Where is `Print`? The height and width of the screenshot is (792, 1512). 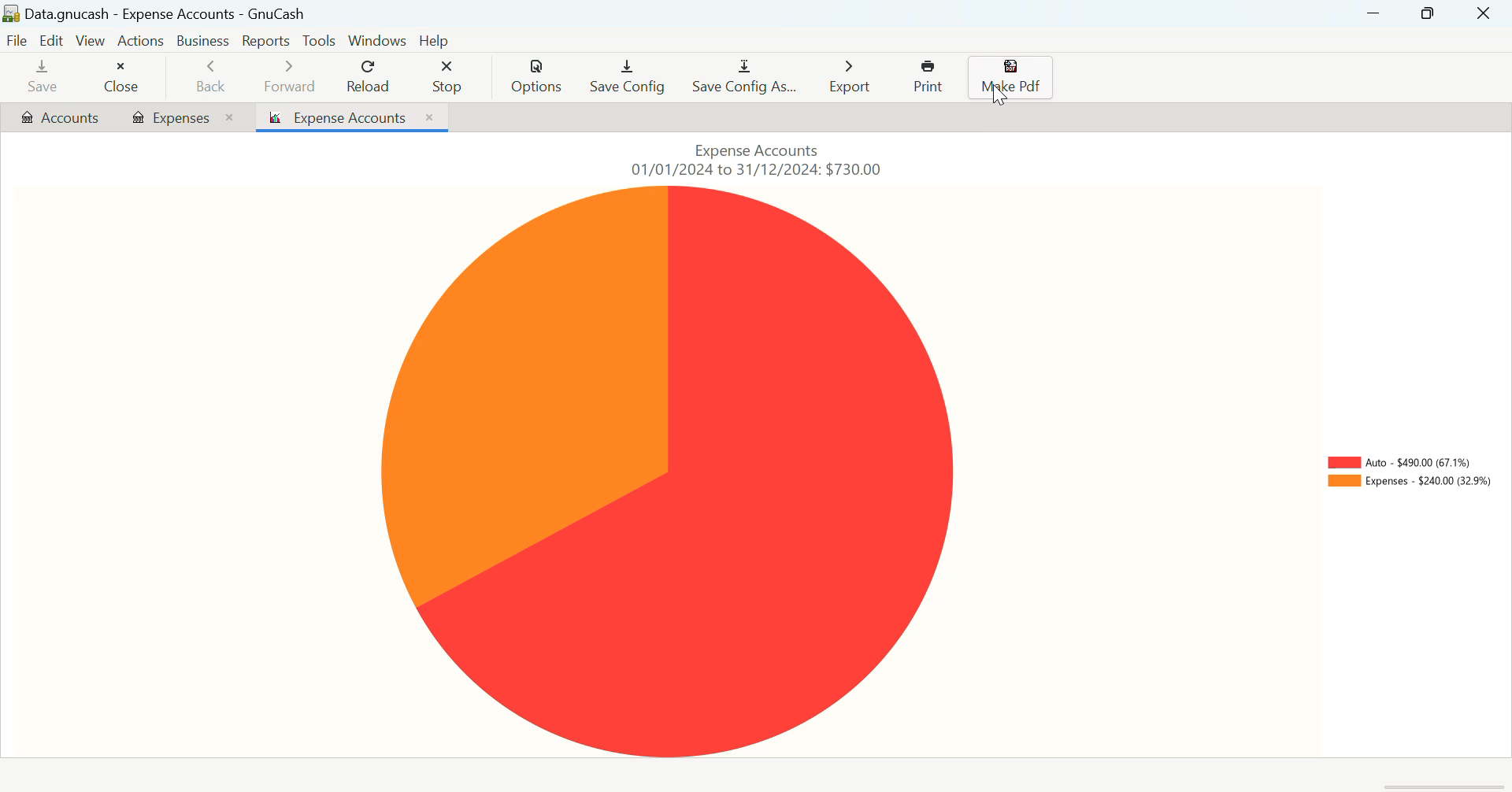
Print is located at coordinates (930, 77).